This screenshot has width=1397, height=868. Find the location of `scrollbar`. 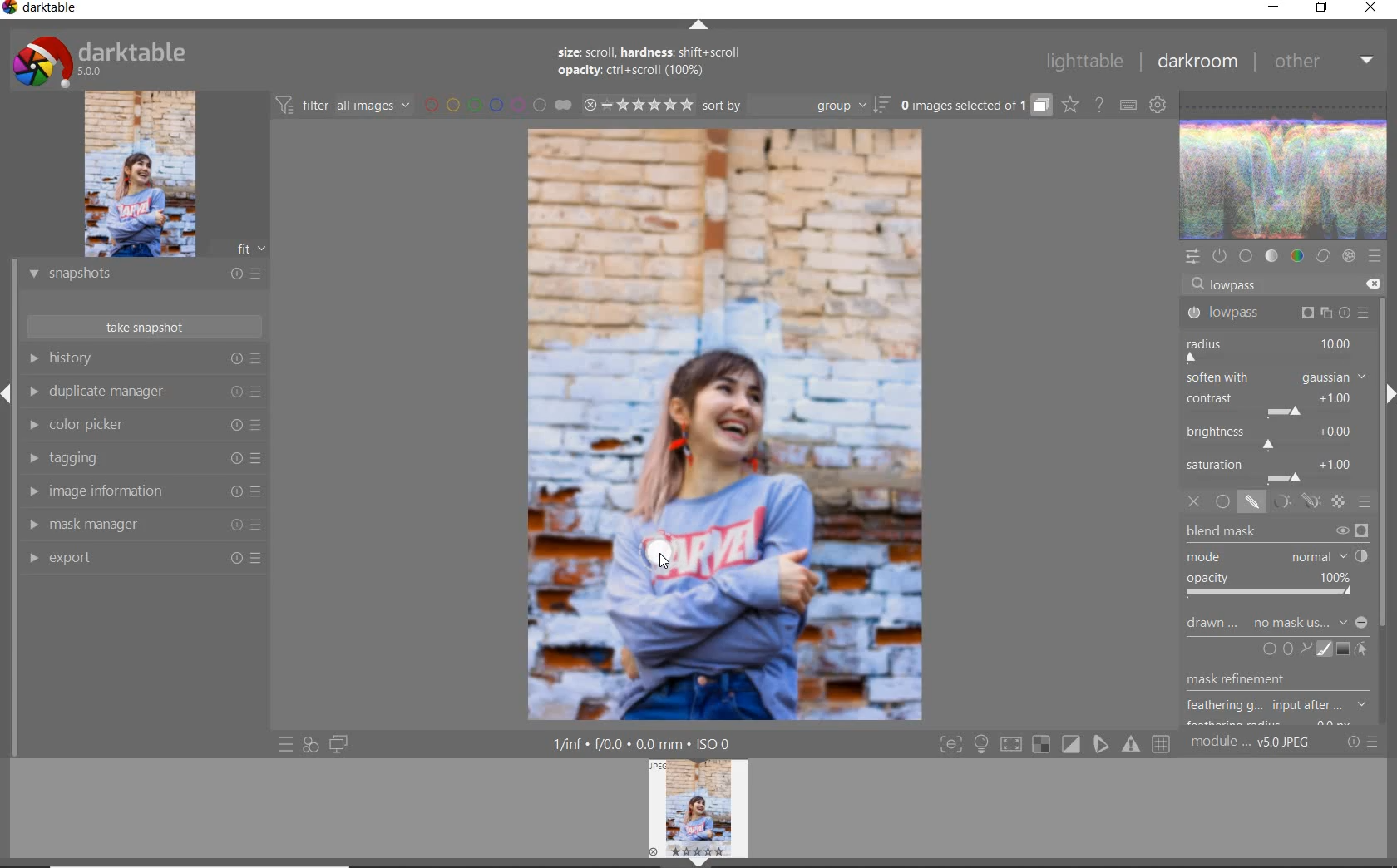

scrollbar is located at coordinates (1383, 447).